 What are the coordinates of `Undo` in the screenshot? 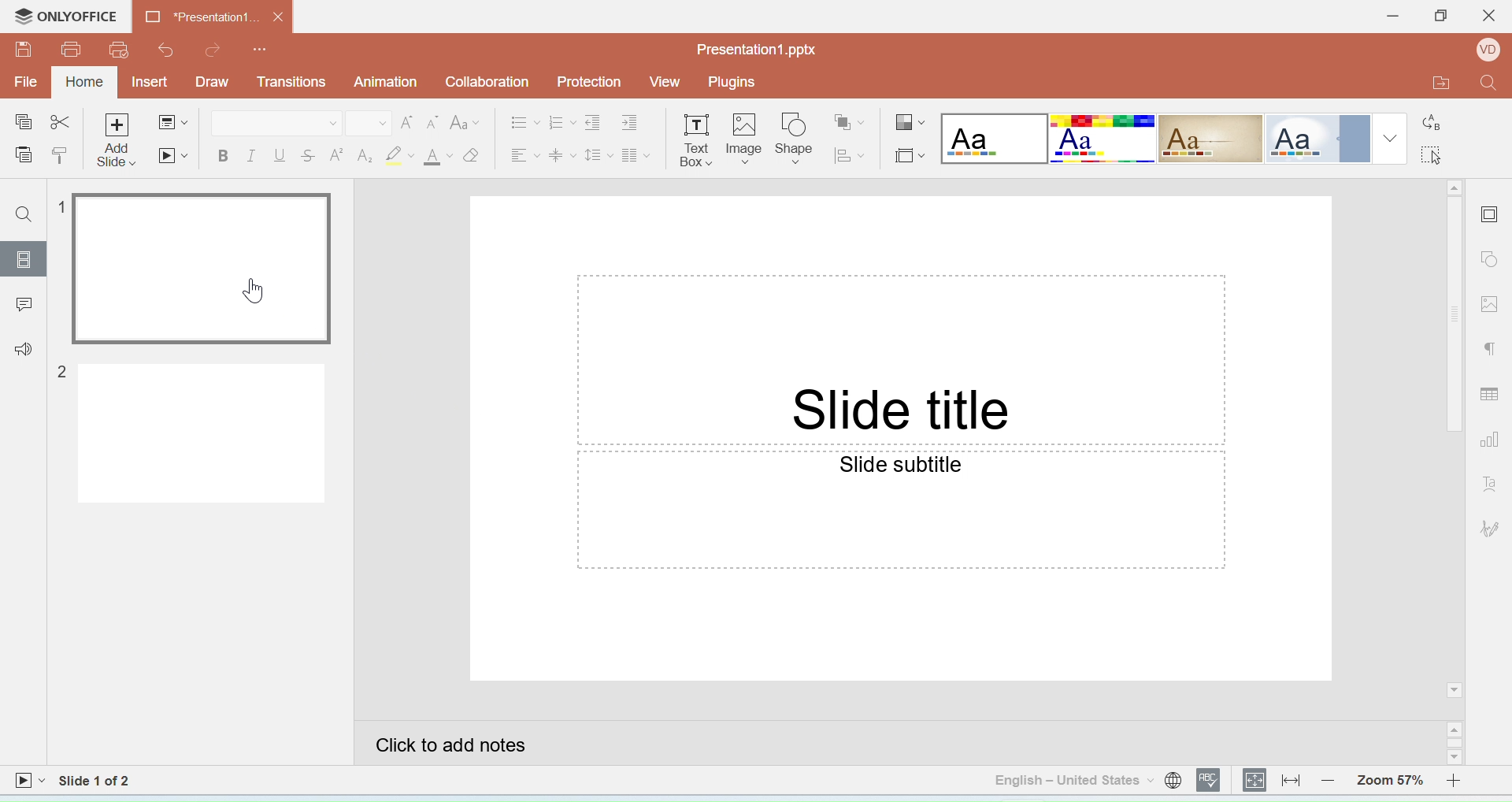 It's located at (163, 50).